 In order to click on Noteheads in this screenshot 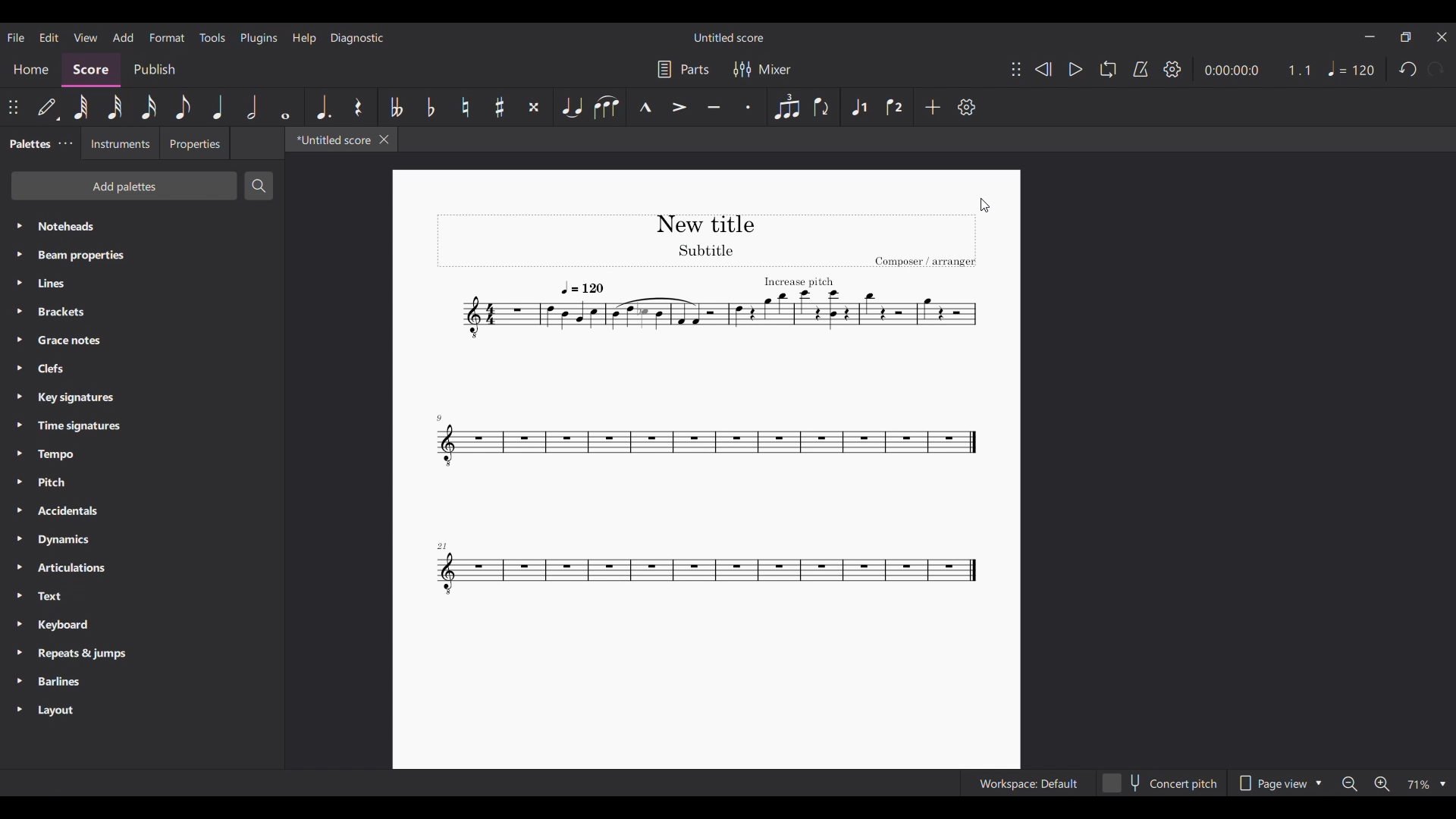, I will do `click(143, 227)`.